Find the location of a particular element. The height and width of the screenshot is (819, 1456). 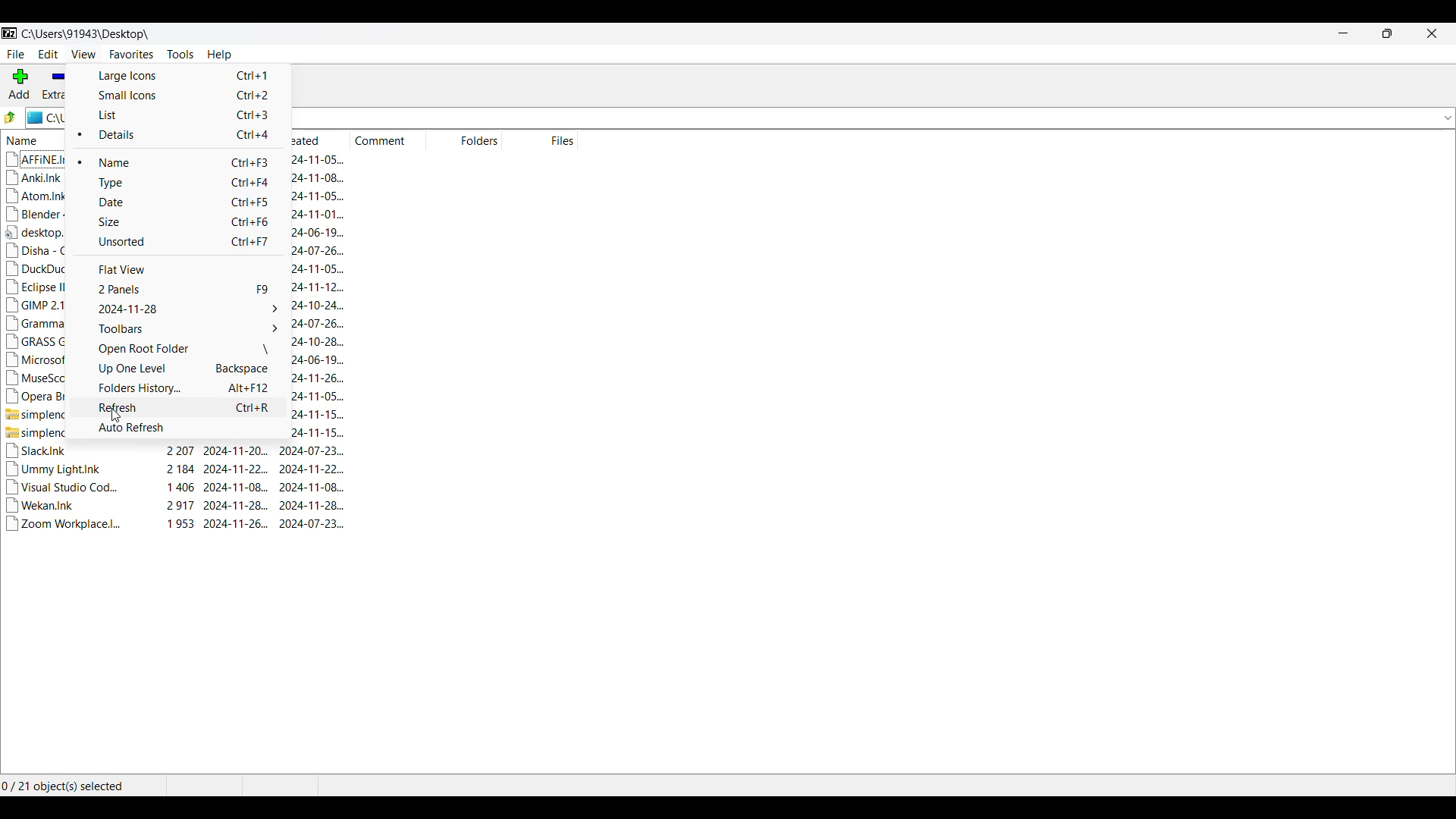

Flat view is located at coordinates (176, 270).